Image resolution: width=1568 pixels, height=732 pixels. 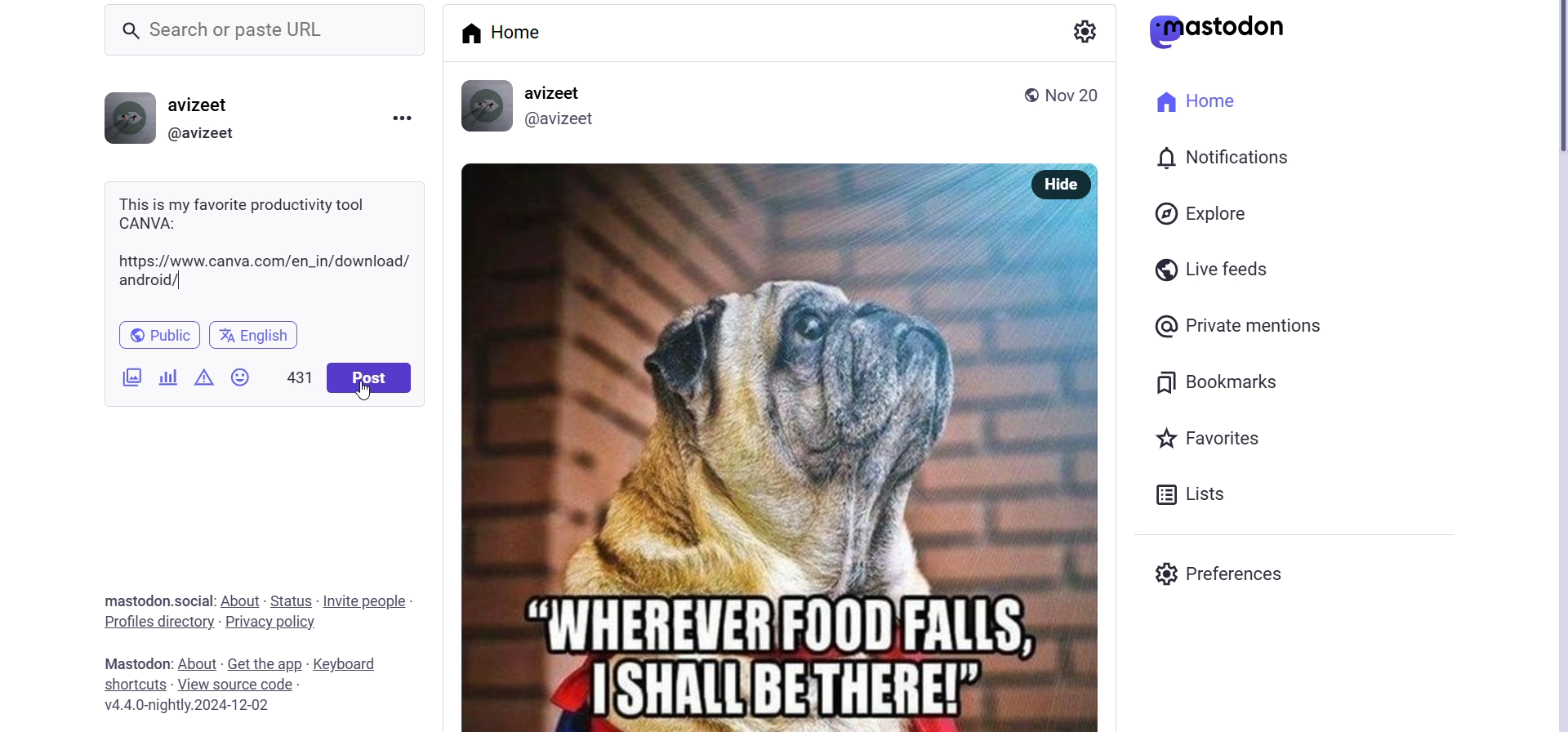 What do you see at coordinates (1542, 88) in the screenshot?
I see `scroll bar` at bounding box center [1542, 88].